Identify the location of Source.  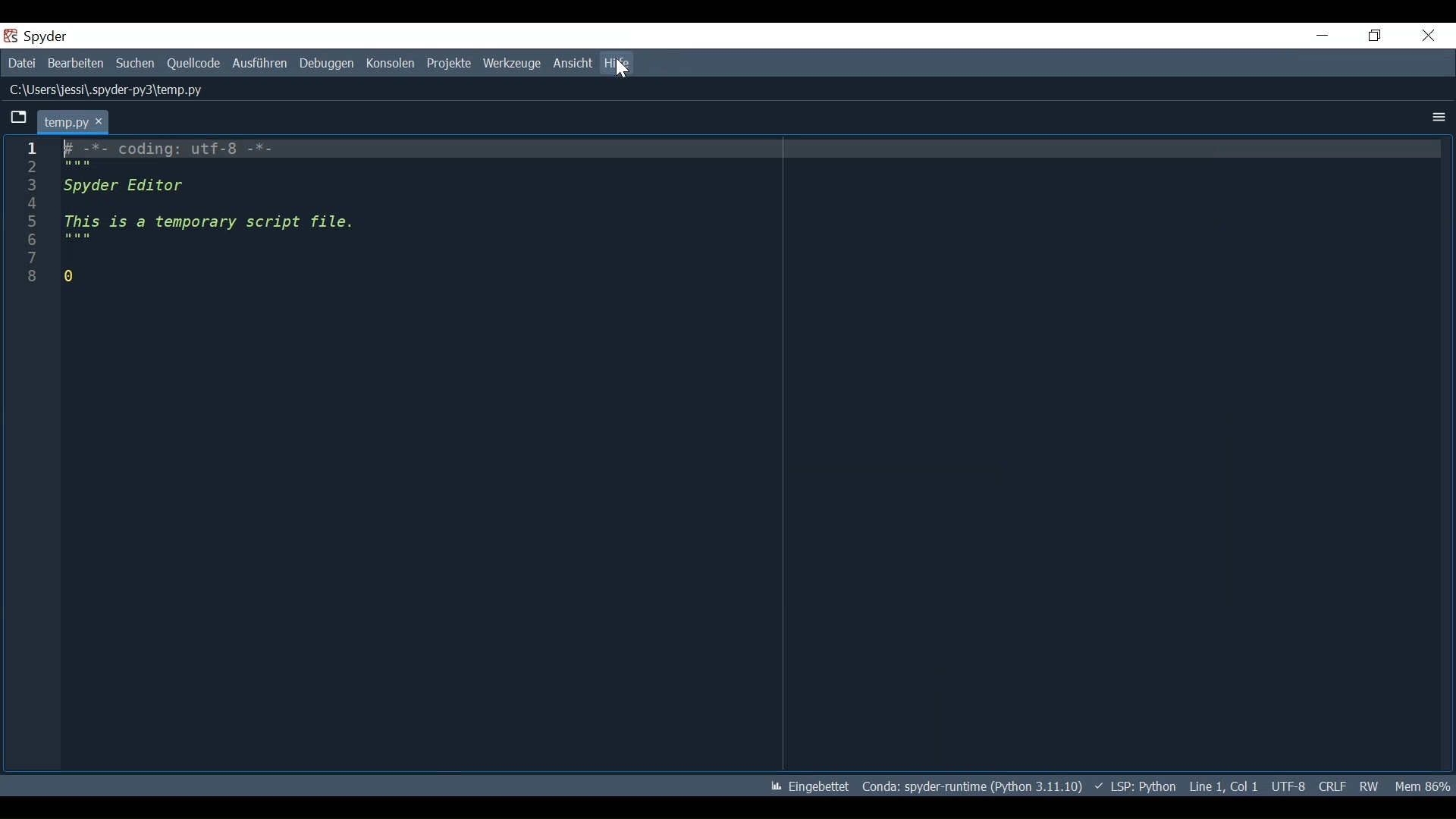
(193, 64).